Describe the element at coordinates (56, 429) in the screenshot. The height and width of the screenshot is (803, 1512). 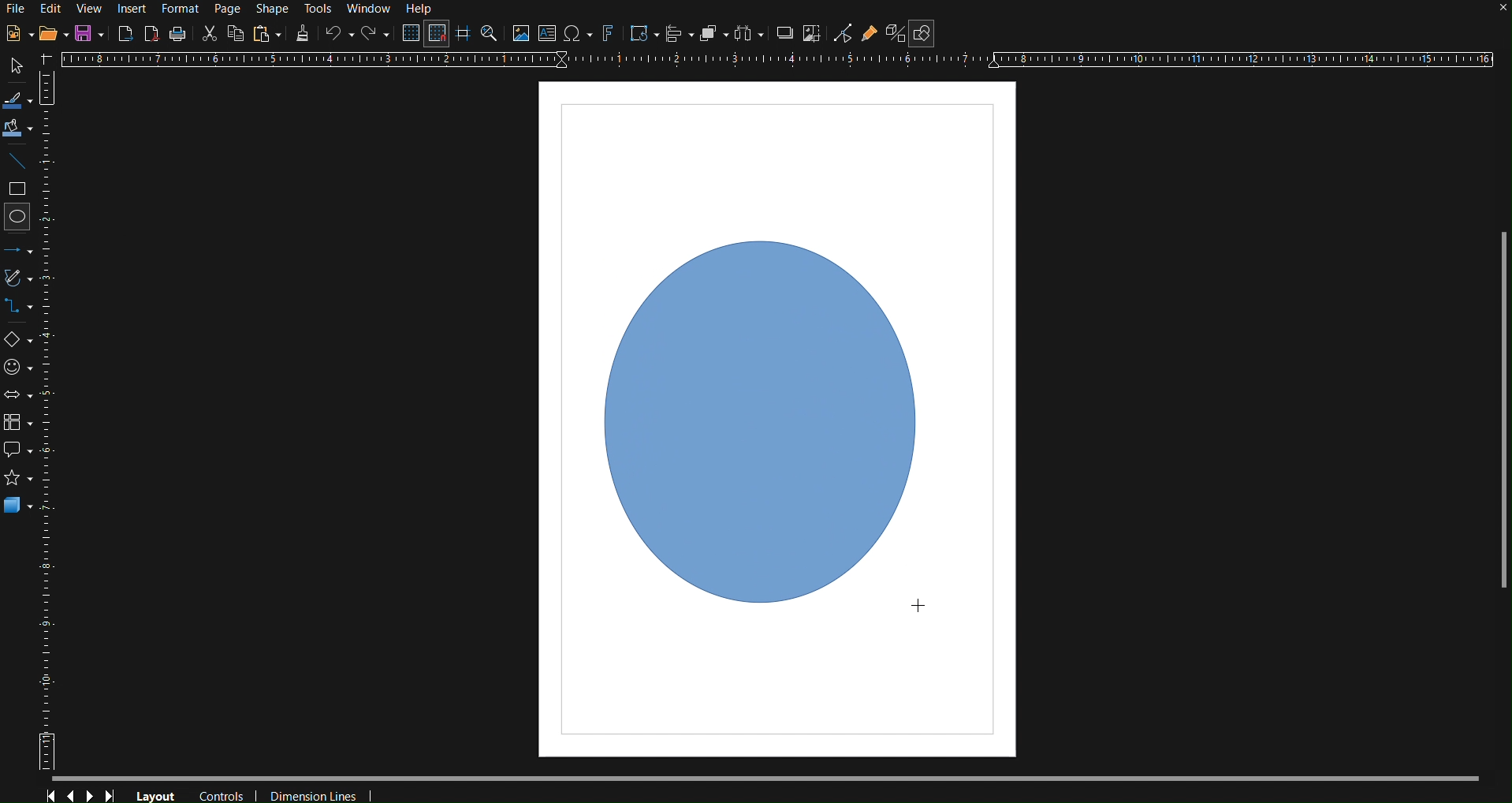
I see `Vertical Ruler` at that location.